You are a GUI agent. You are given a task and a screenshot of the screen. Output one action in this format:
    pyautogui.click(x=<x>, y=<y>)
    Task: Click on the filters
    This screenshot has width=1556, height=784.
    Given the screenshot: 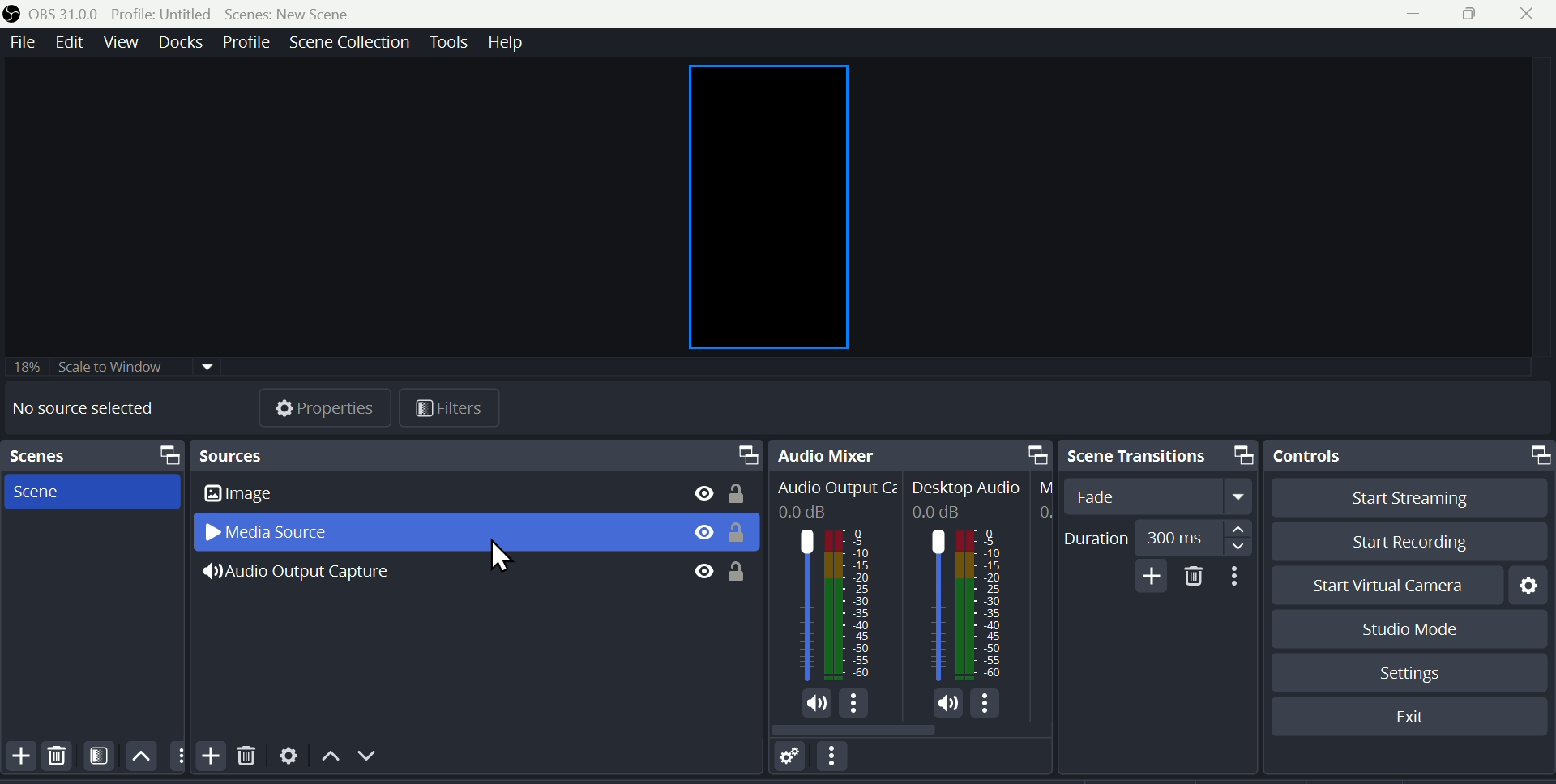 What is the action you would take?
    pyautogui.click(x=446, y=410)
    